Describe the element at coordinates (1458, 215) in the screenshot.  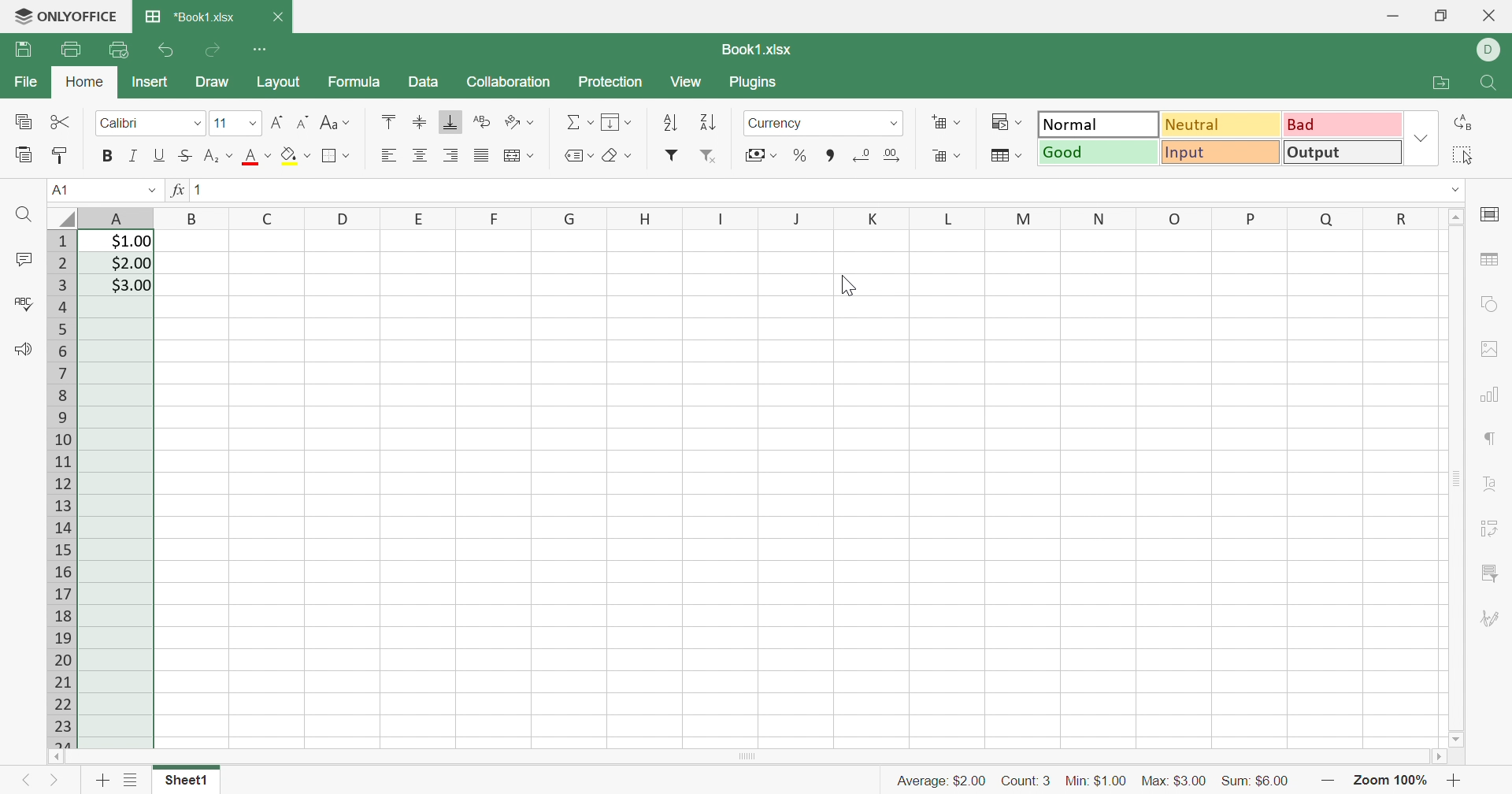
I see `Scroll up` at that location.